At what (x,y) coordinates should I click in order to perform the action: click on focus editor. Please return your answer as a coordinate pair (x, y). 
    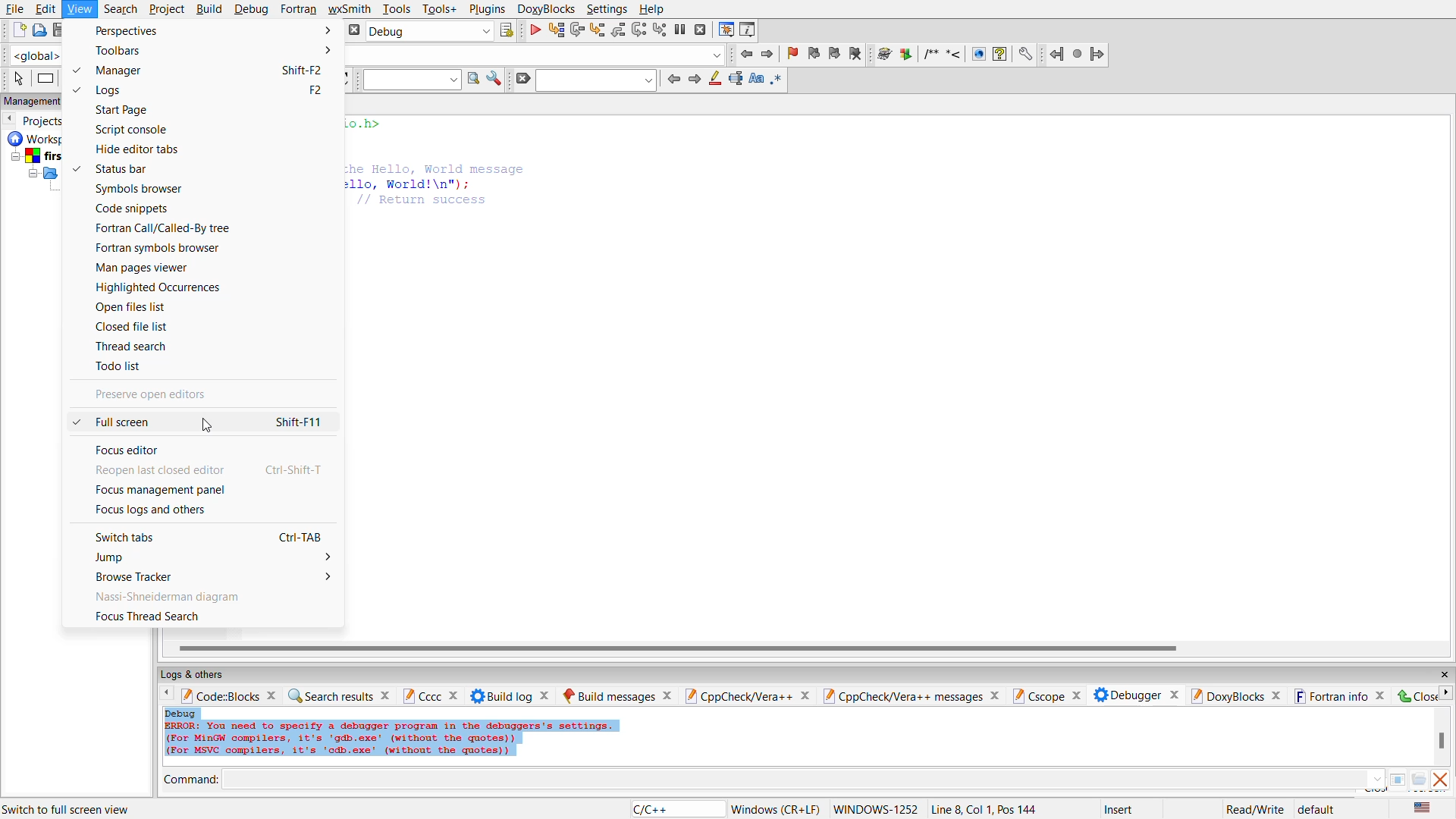
    Looking at the image, I should click on (134, 450).